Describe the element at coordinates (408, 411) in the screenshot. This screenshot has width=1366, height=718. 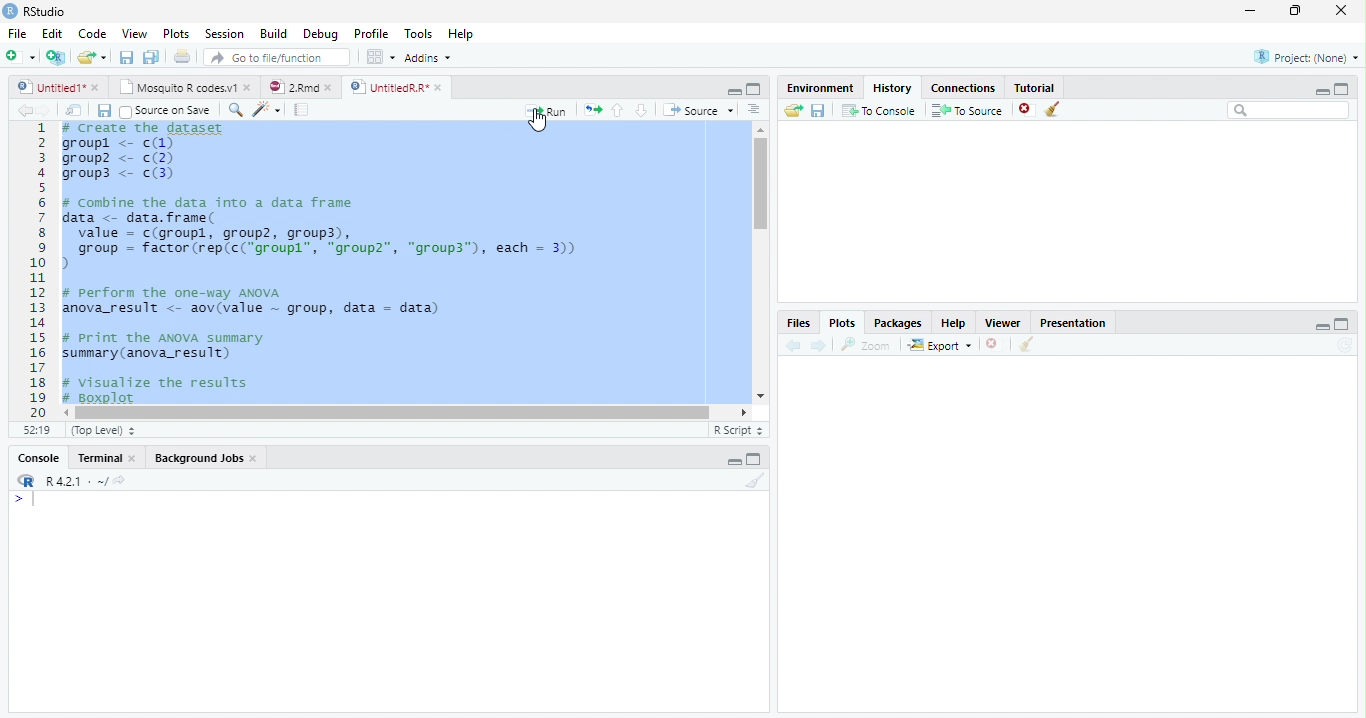
I see `Scrollbar` at that location.